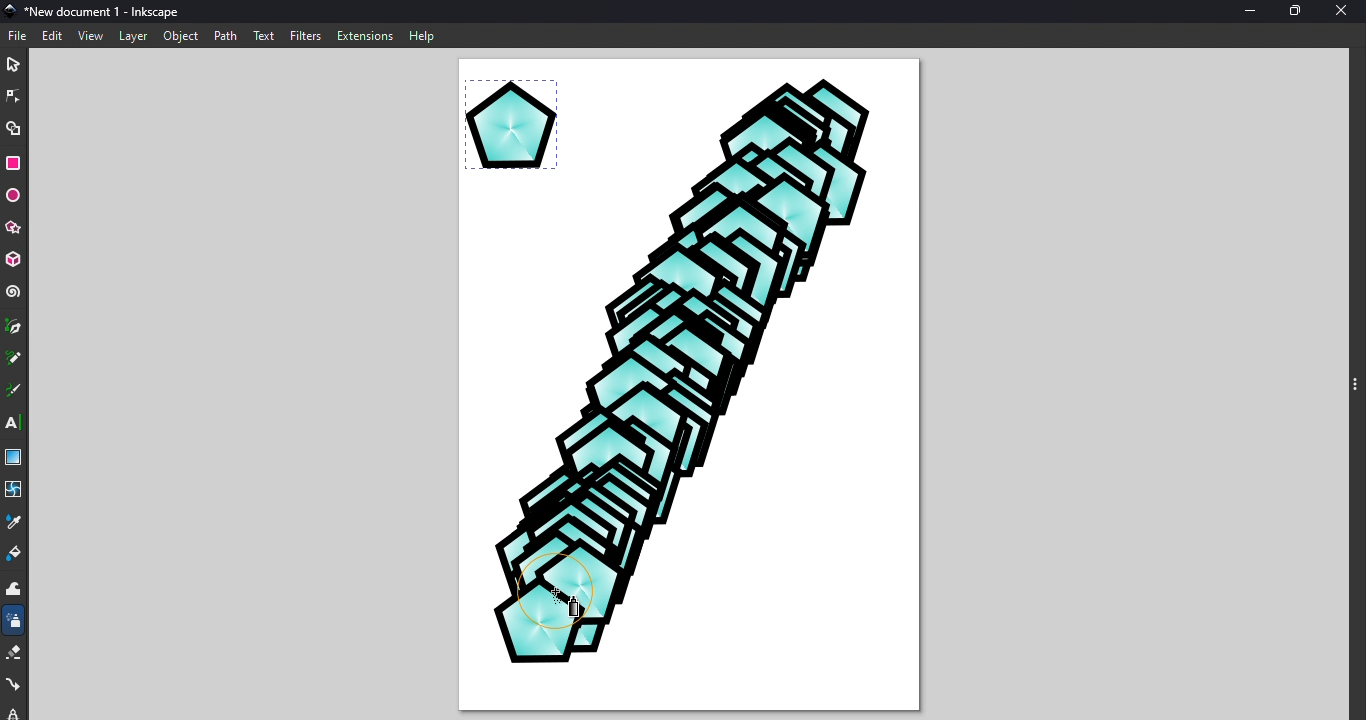  I want to click on Ellipse/arc tool, so click(16, 196).